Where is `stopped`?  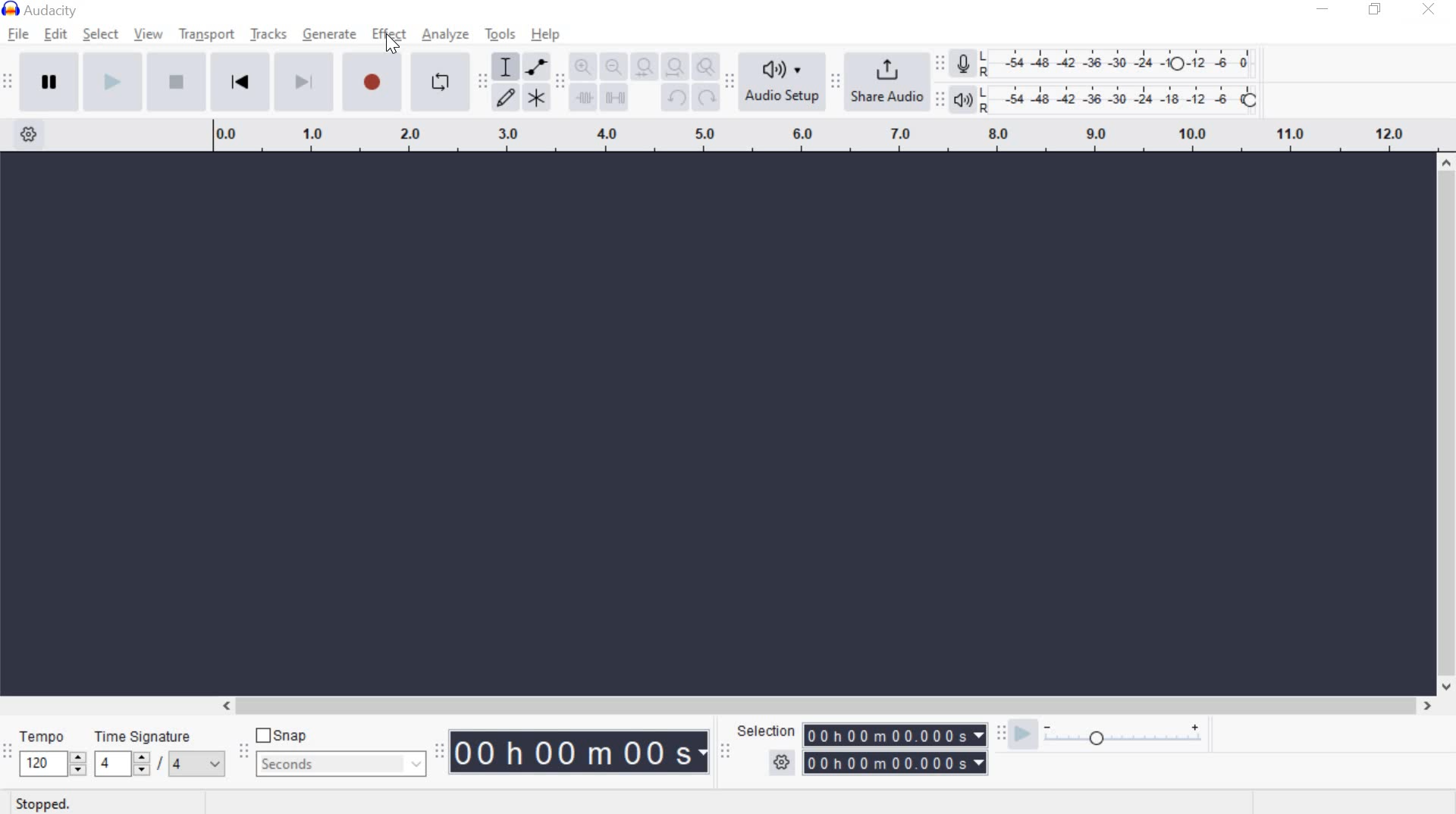
stopped is located at coordinates (46, 803).